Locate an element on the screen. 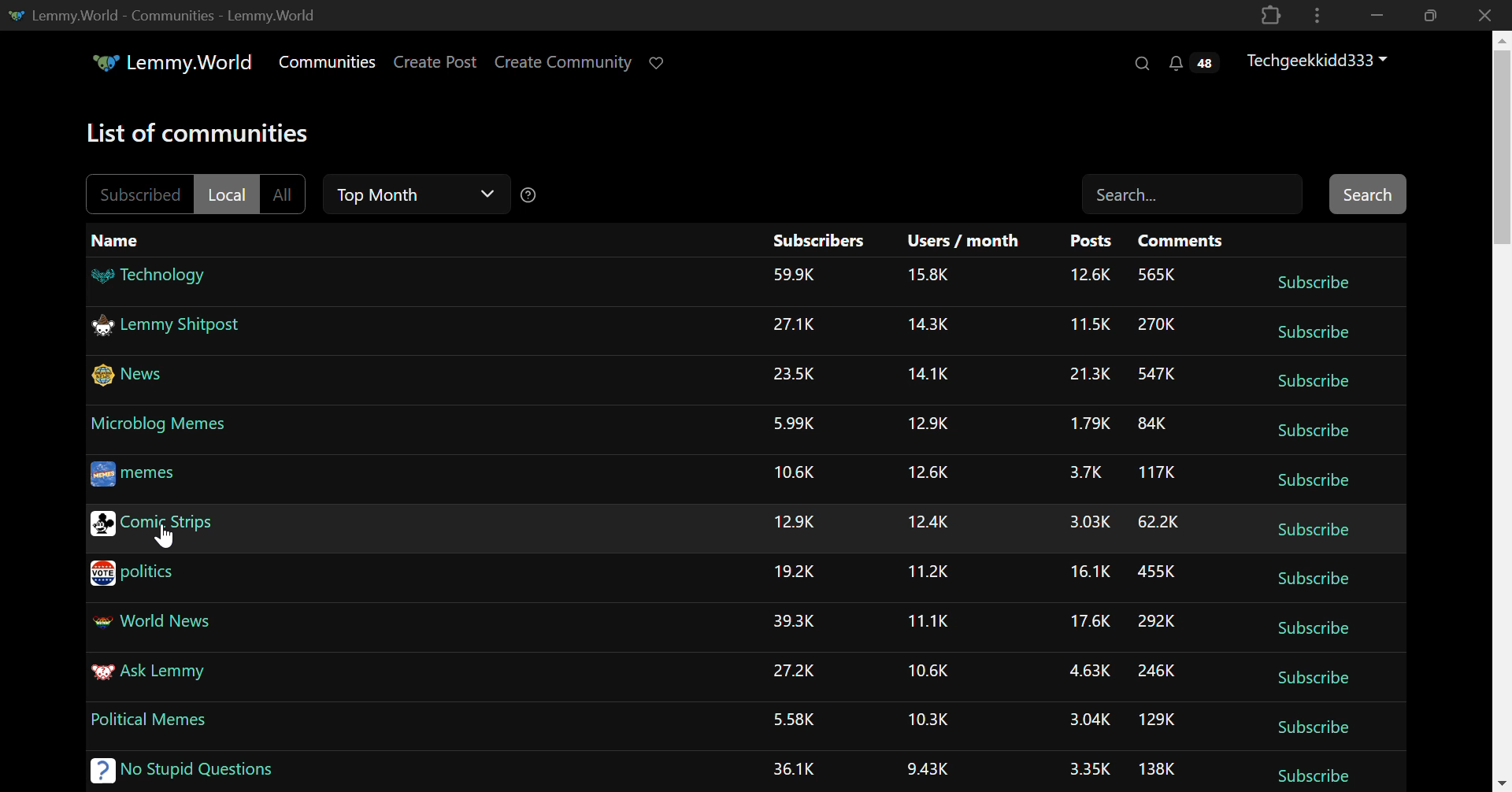 The image size is (1512, 792). News is located at coordinates (134, 377).